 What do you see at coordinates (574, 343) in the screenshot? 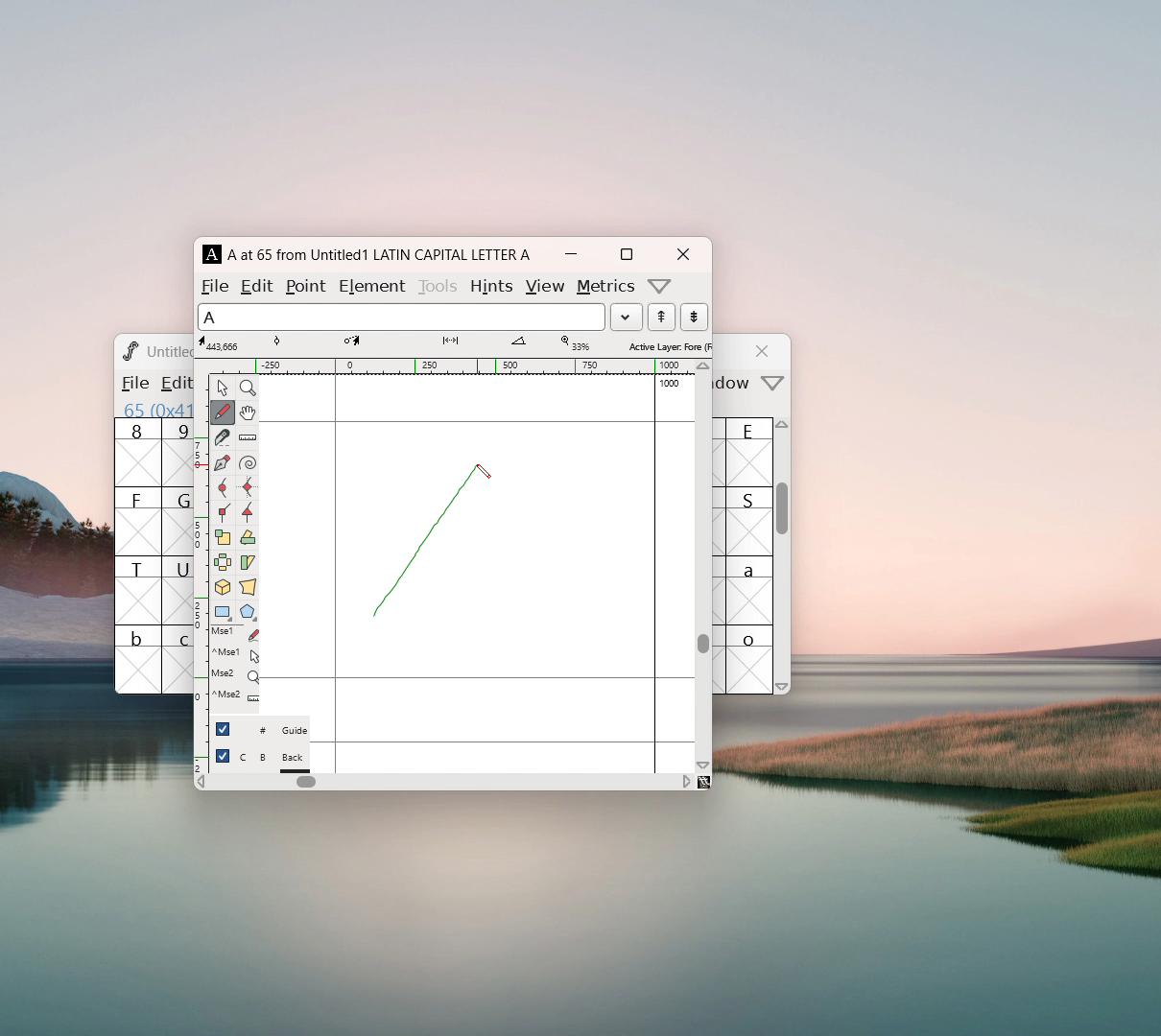
I see `level of maginification` at bounding box center [574, 343].